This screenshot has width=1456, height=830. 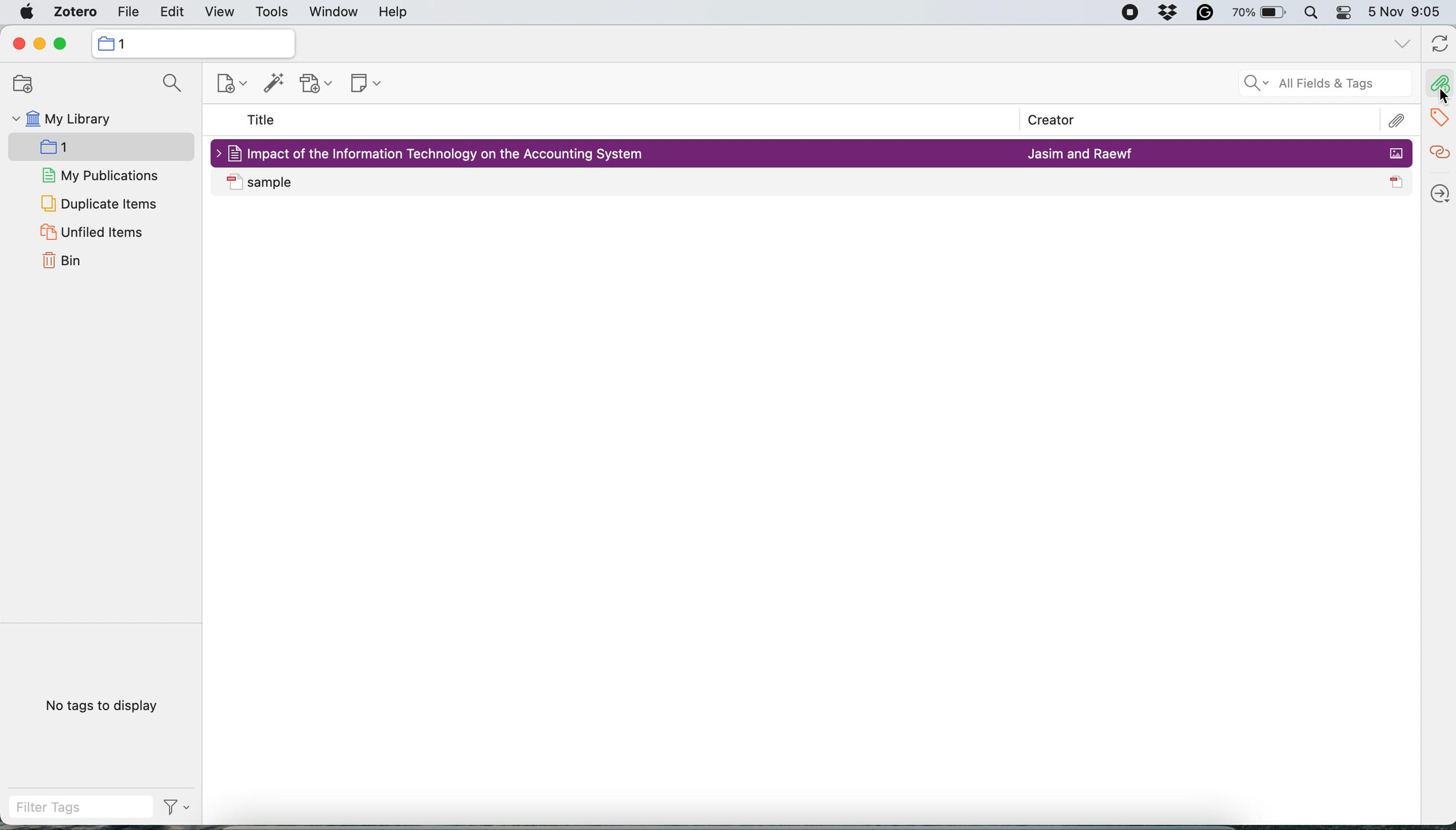 What do you see at coordinates (72, 149) in the screenshot?
I see `collection` at bounding box center [72, 149].